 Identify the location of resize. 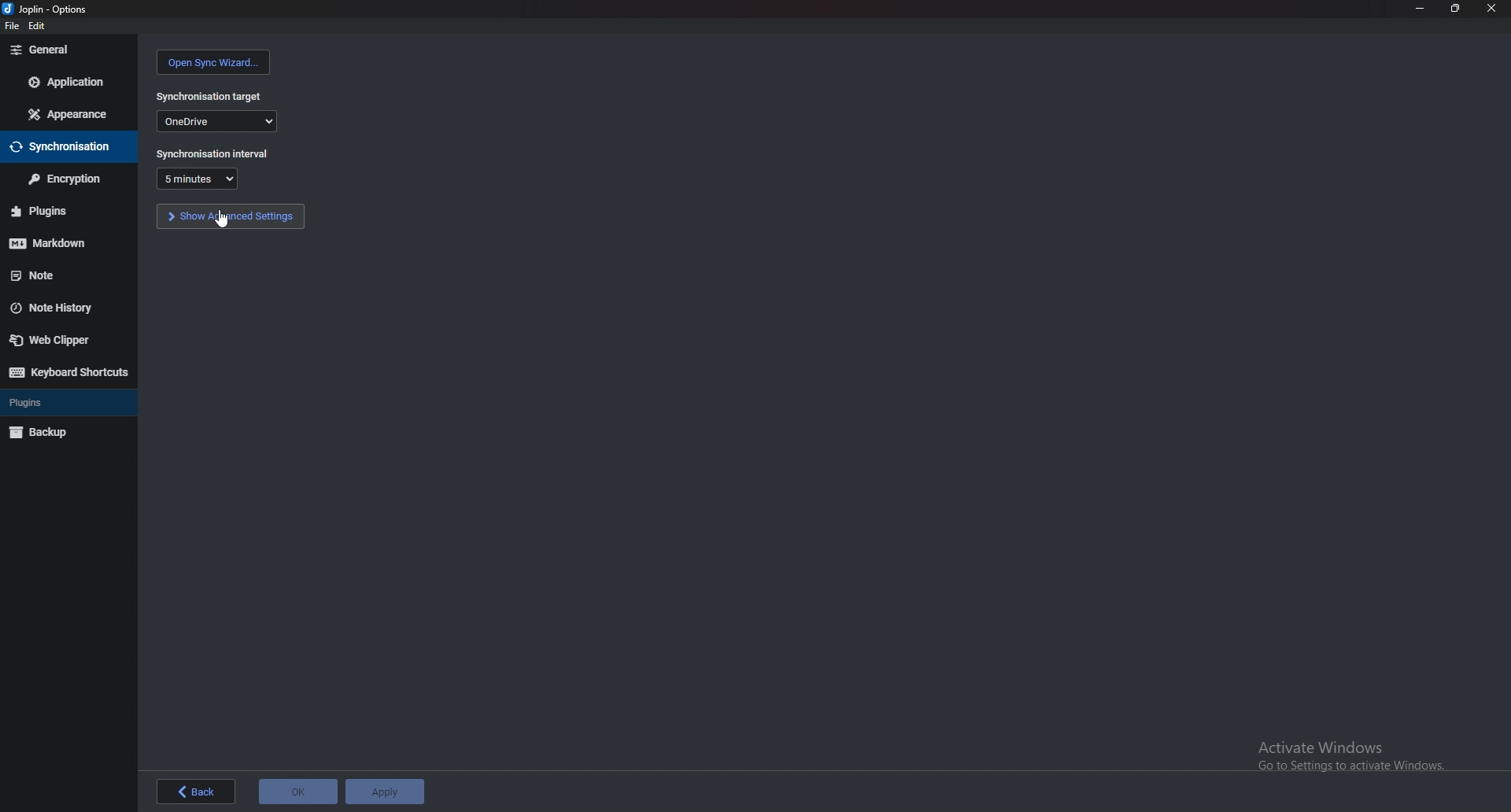
(1455, 8).